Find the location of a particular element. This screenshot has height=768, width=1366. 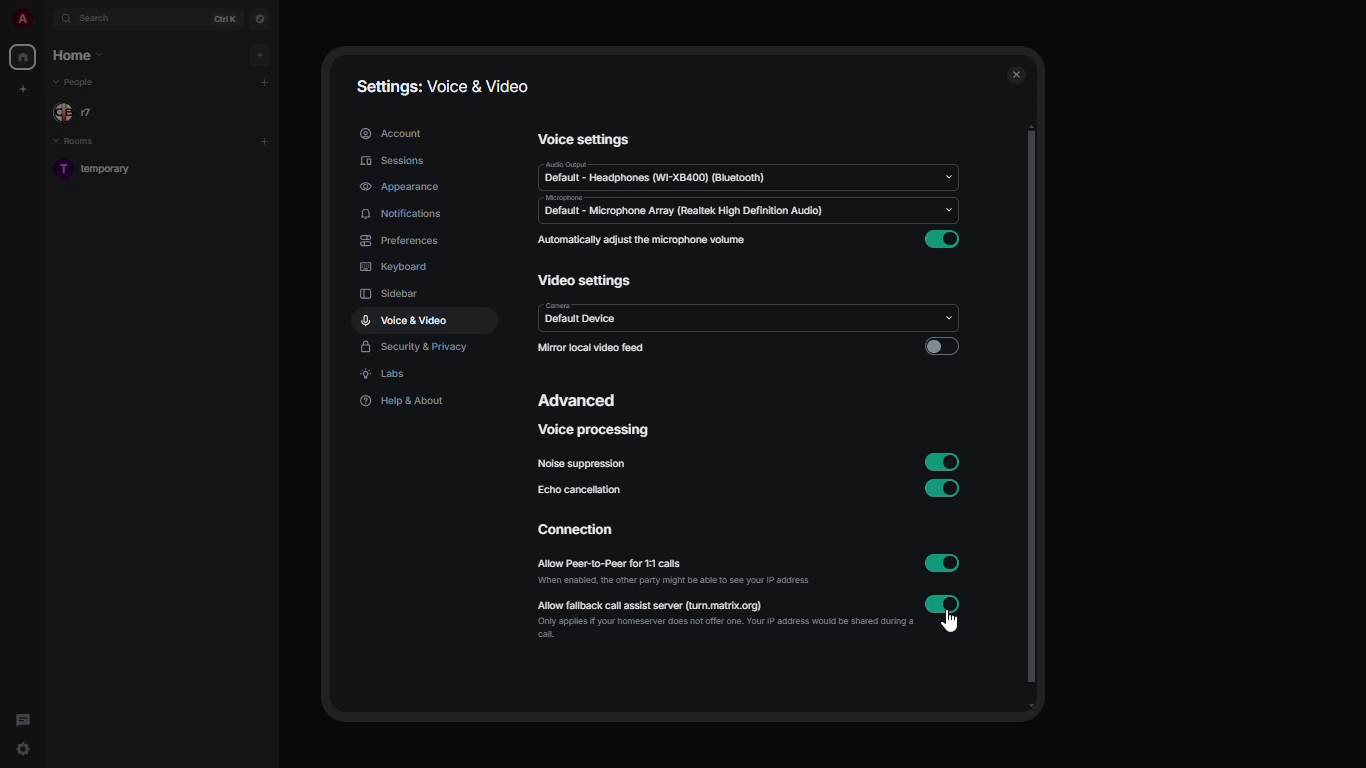

sessions is located at coordinates (393, 161).